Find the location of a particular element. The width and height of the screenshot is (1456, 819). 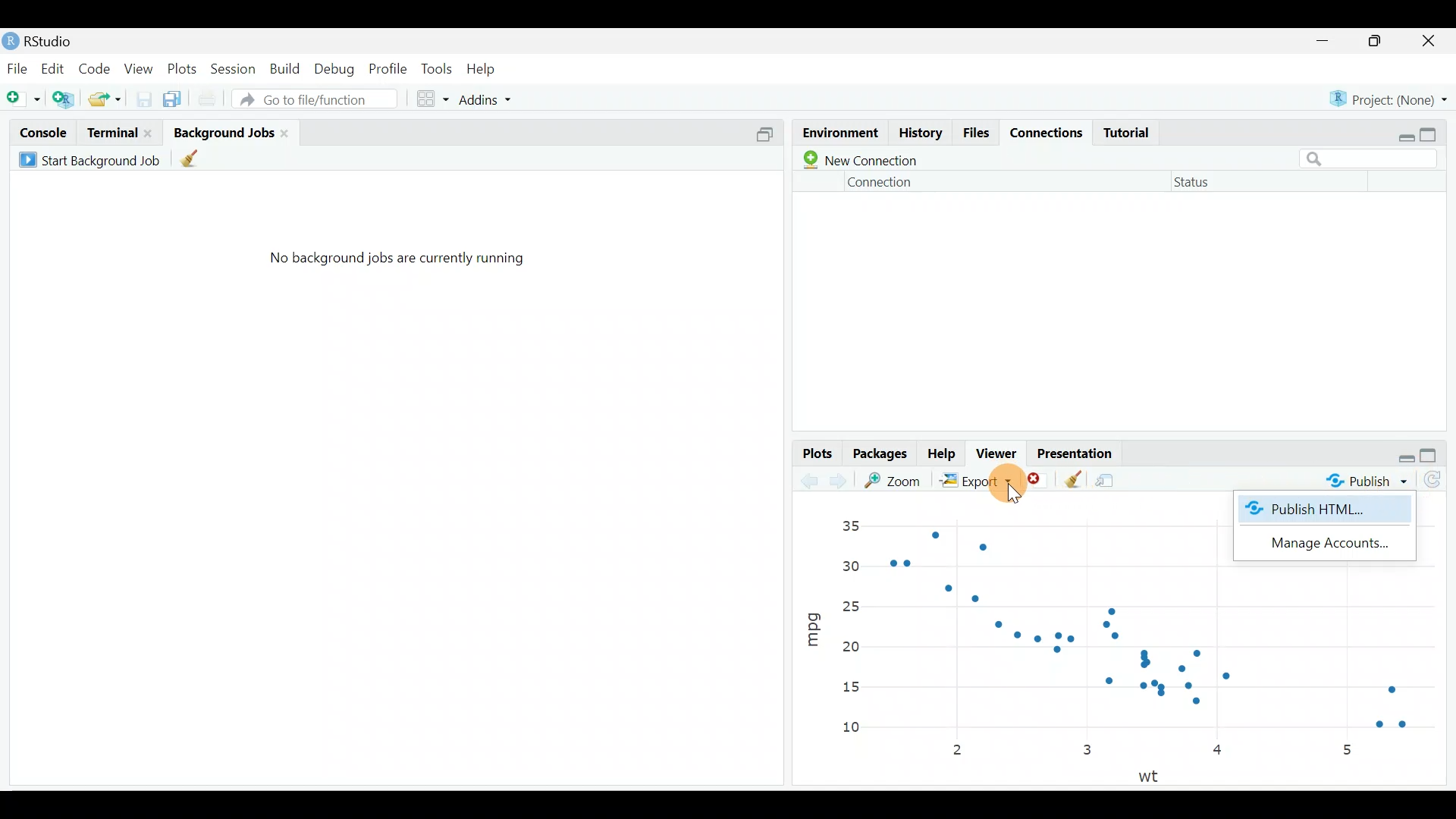

Addins is located at coordinates (488, 97).